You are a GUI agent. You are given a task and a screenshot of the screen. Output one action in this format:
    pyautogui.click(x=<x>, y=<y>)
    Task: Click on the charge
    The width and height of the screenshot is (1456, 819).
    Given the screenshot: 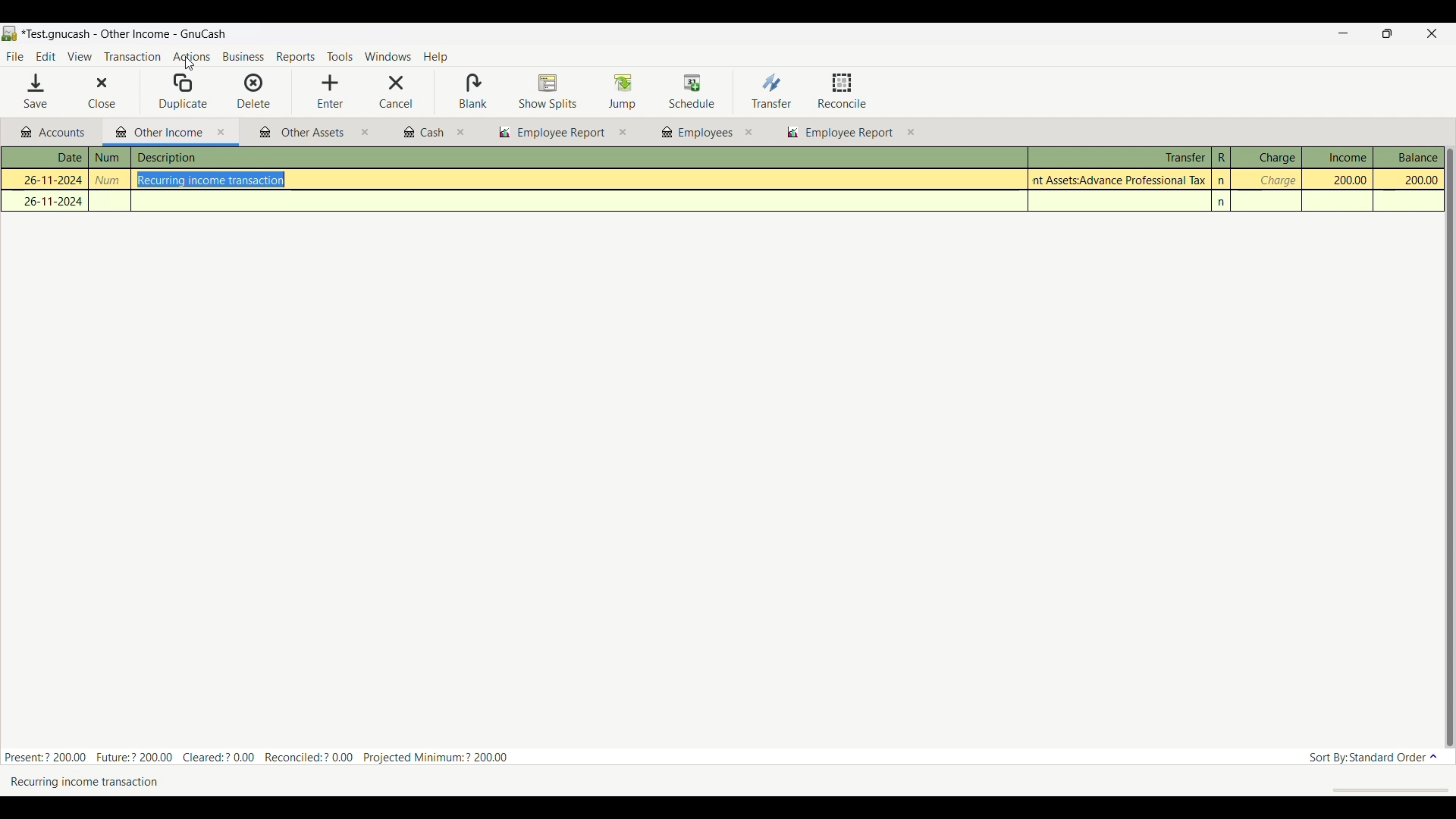 What is the action you would take?
    pyautogui.click(x=1276, y=180)
    